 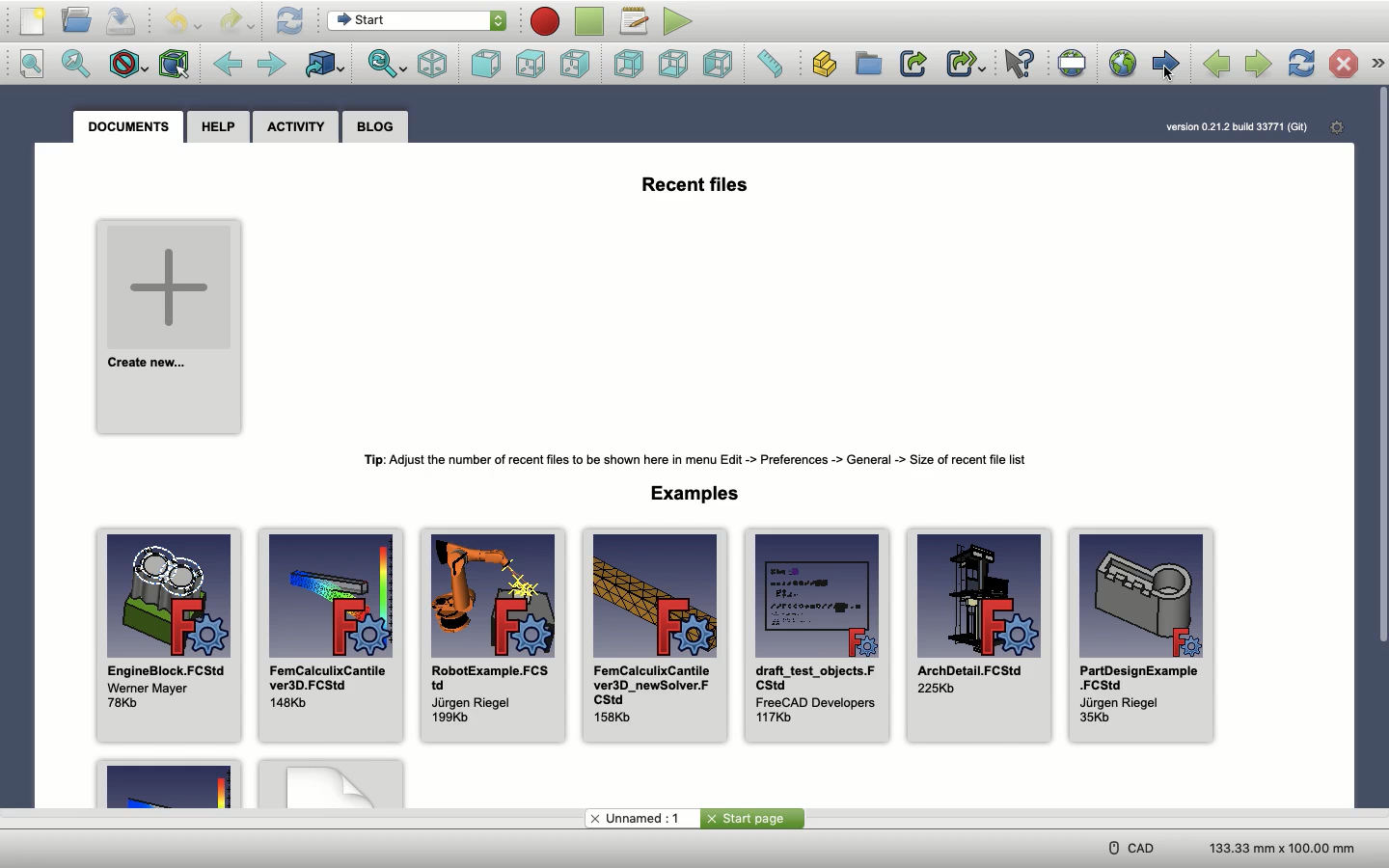 What do you see at coordinates (167, 784) in the screenshot?
I see `Example` at bounding box center [167, 784].